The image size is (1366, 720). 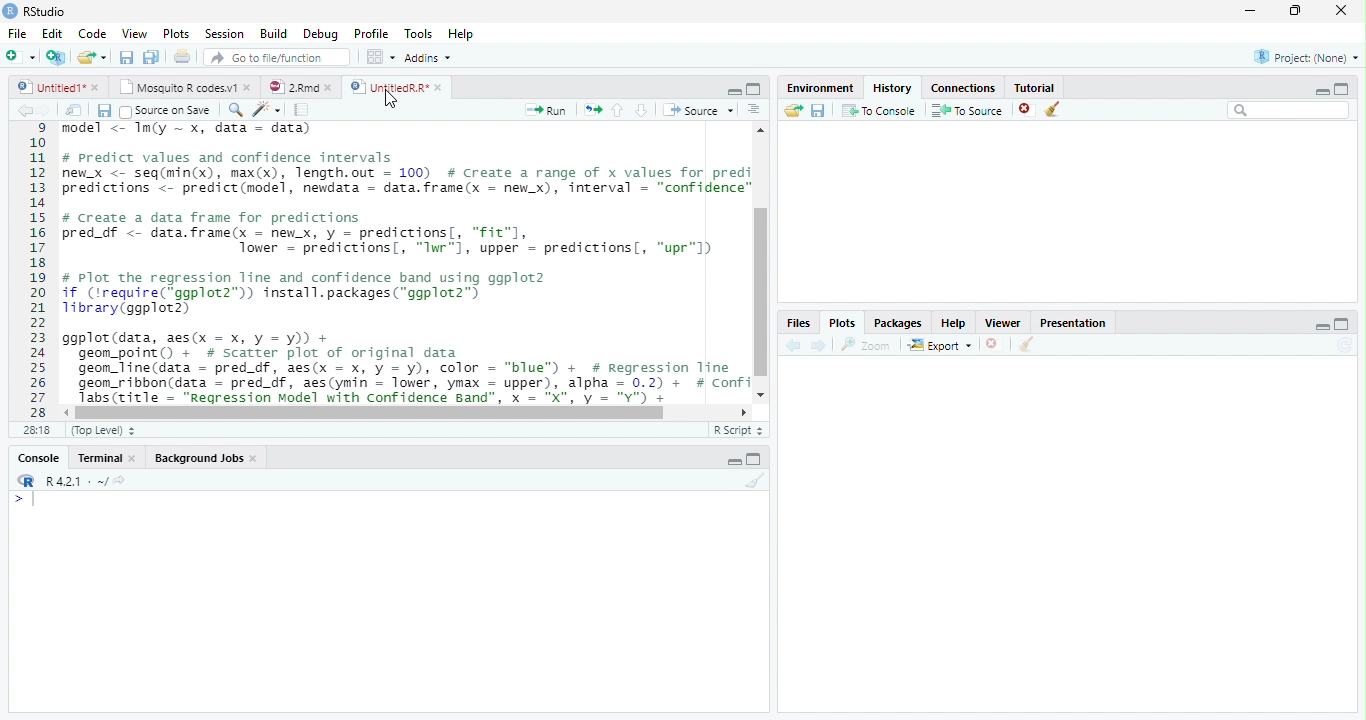 What do you see at coordinates (324, 36) in the screenshot?
I see `Debug` at bounding box center [324, 36].